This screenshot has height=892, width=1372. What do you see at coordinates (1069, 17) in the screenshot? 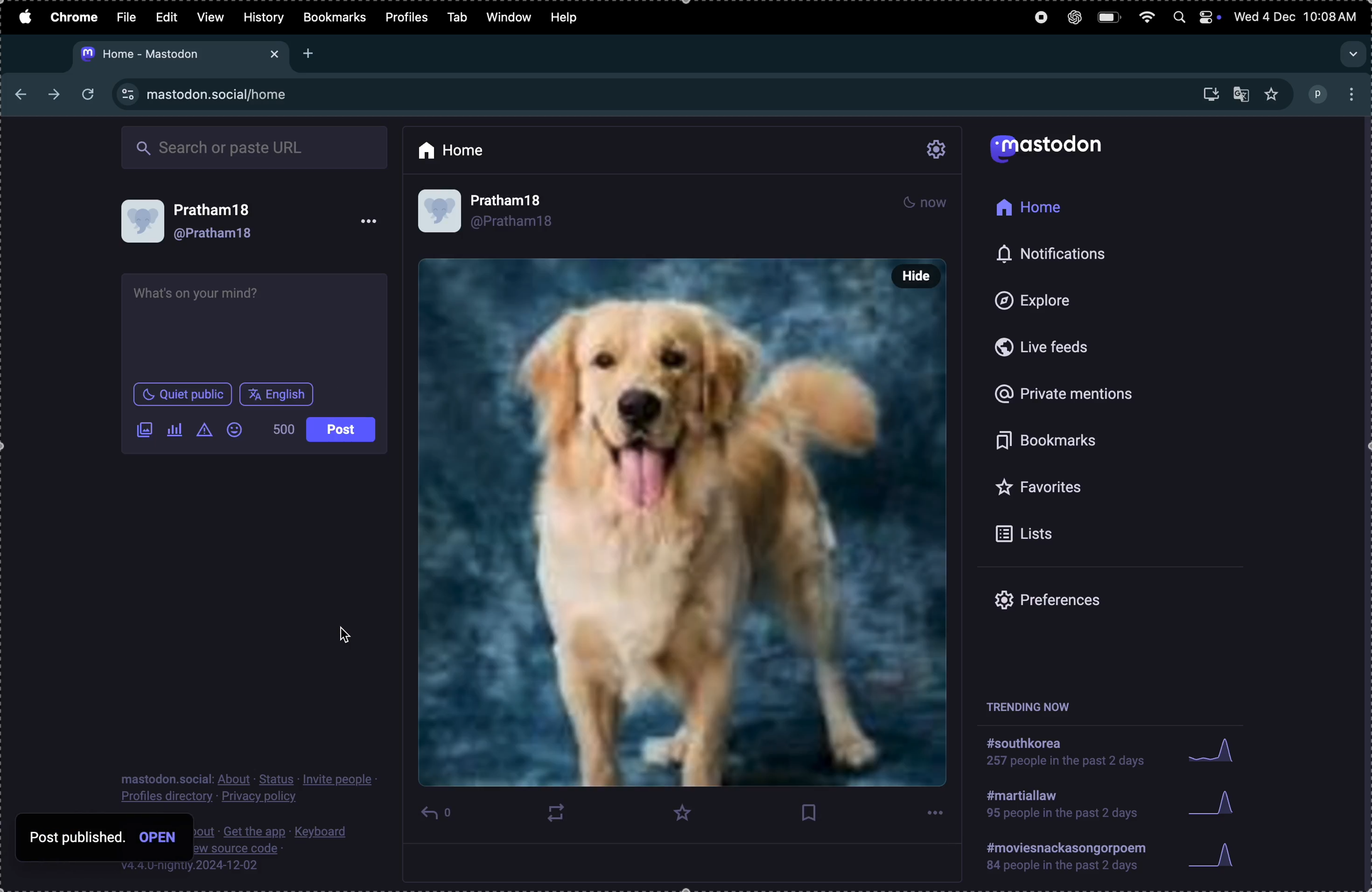
I see `chatgpt` at bounding box center [1069, 17].